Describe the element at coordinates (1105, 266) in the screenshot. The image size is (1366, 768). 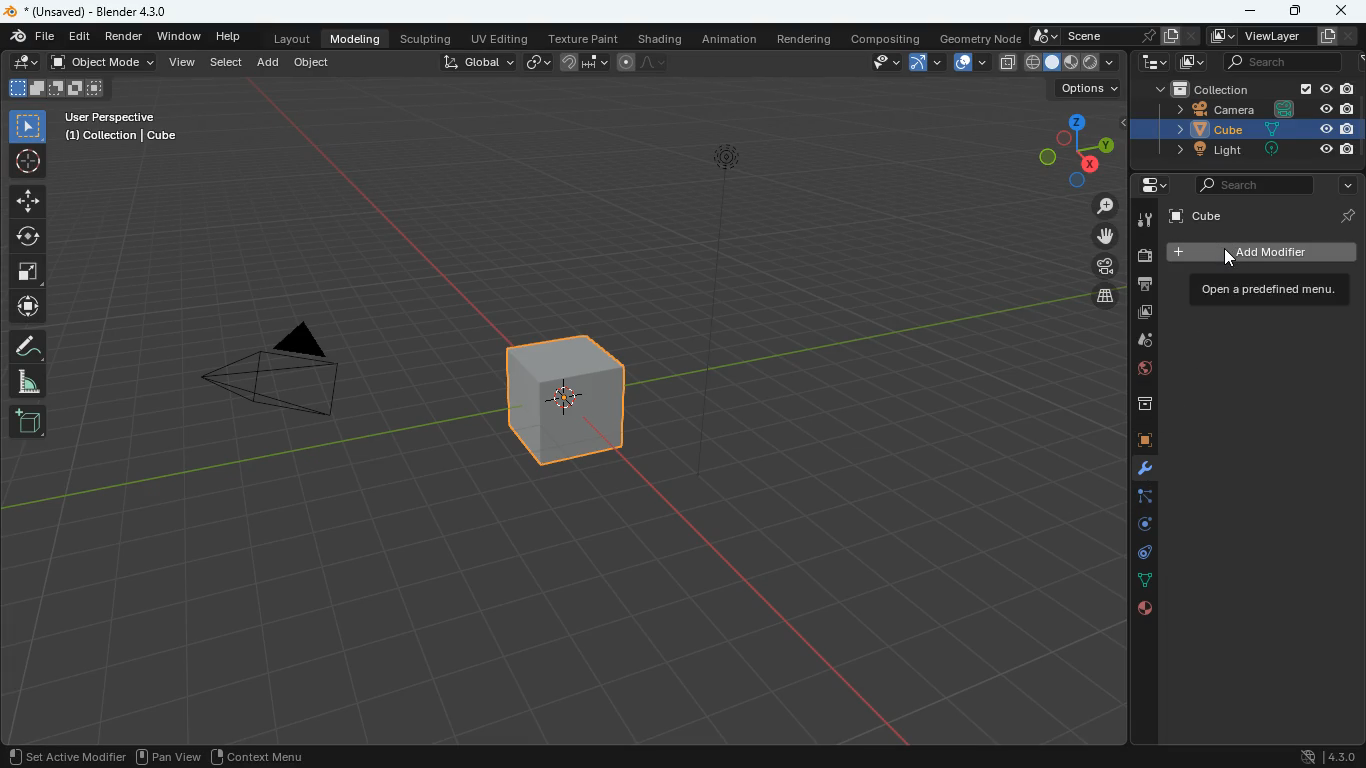
I see `camera` at that location.